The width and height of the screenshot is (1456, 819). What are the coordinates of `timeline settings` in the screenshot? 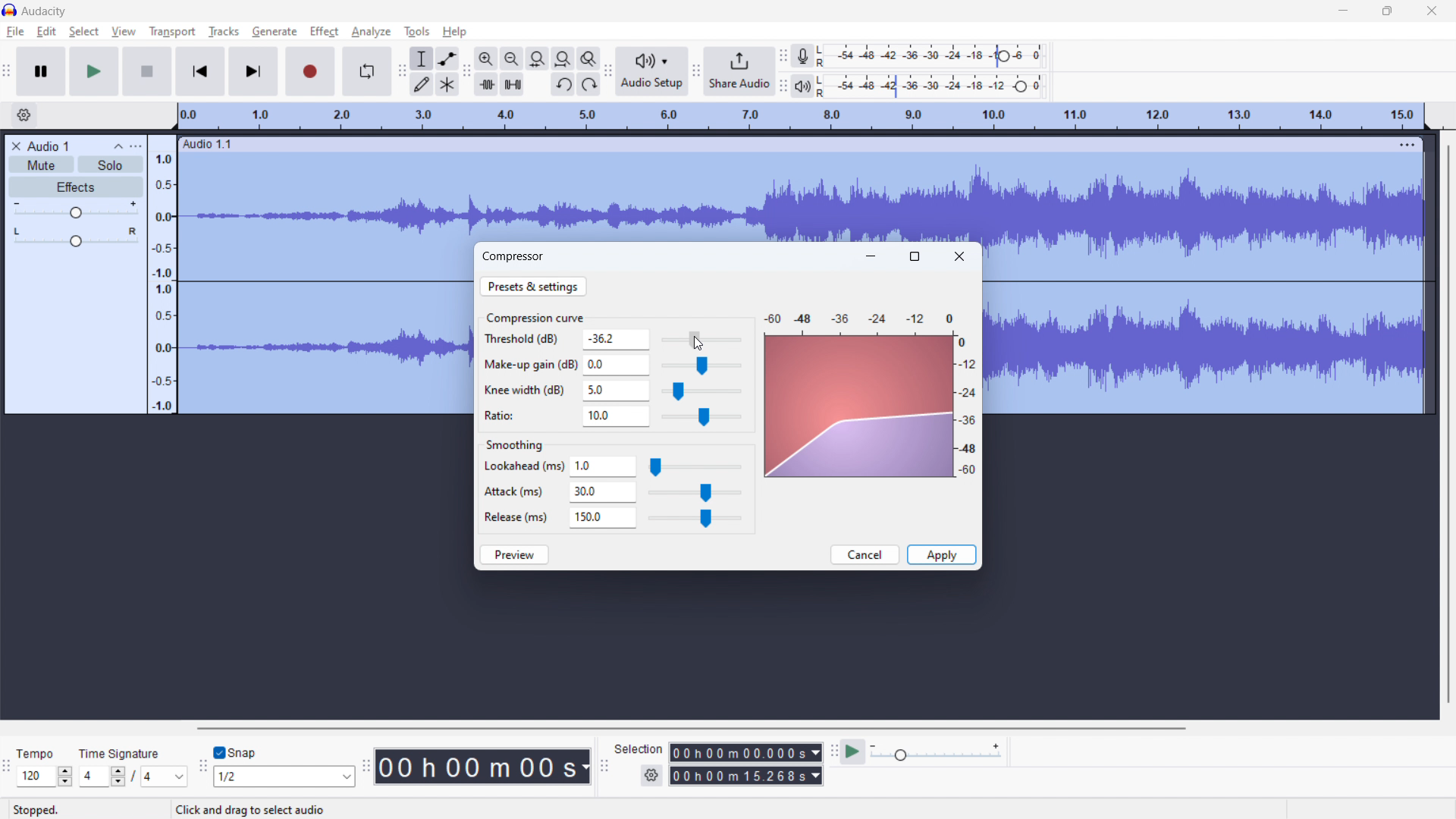 It's located at (24, 115).